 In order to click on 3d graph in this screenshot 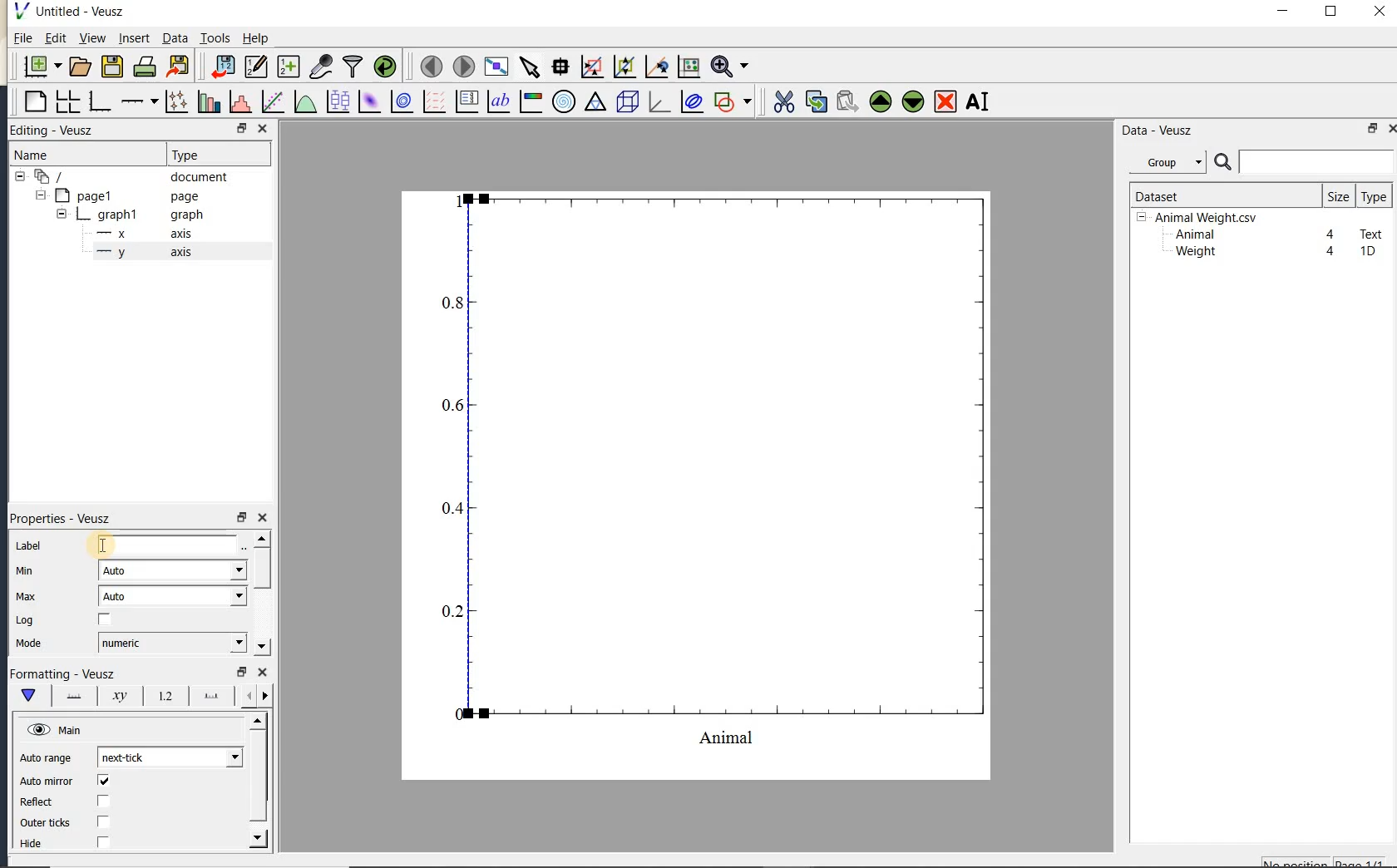, I will do `click(657, 101)`.